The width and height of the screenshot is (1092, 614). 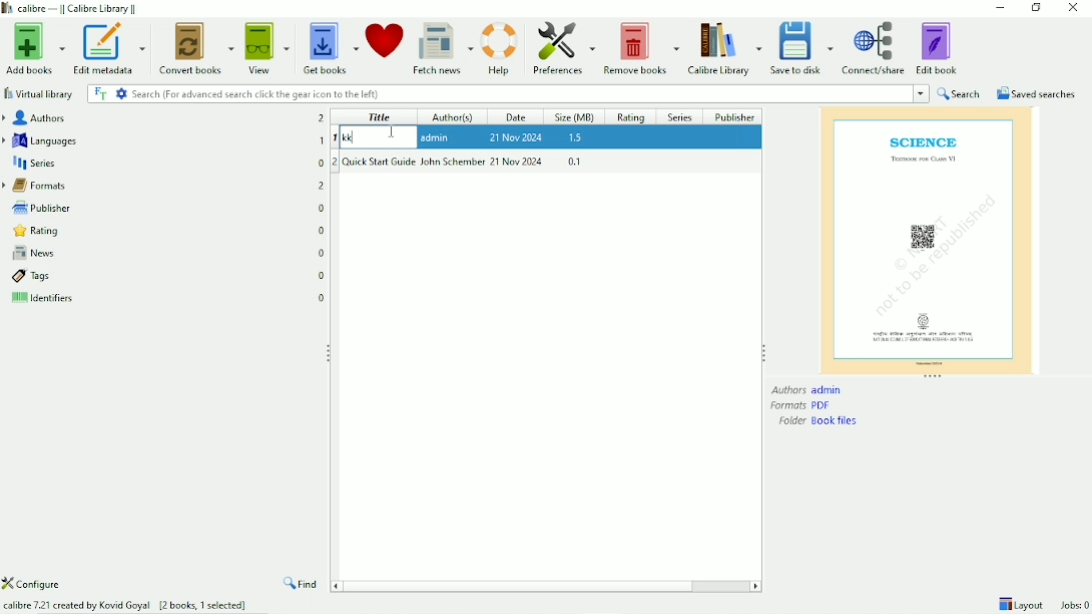 I want to click on News, so click(x=30, y=254).